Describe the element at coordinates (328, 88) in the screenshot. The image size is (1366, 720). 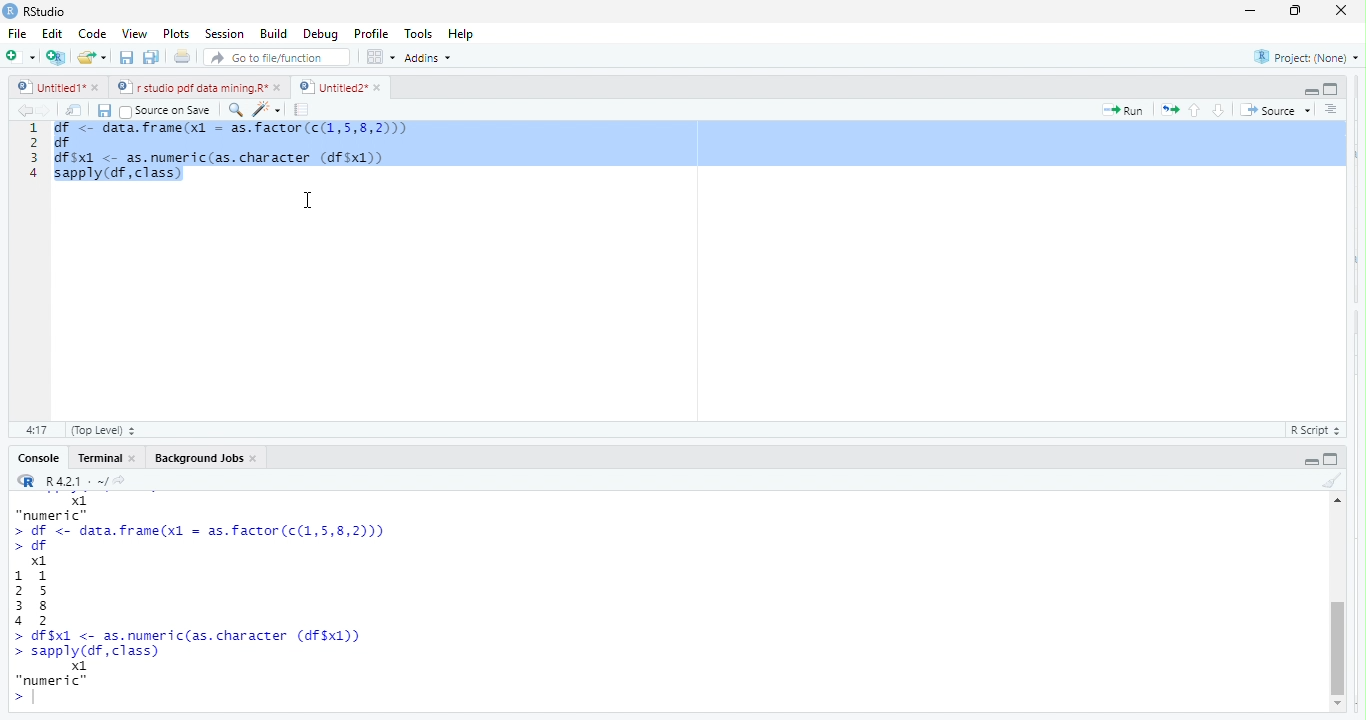
I see `Untitied2` at that location.